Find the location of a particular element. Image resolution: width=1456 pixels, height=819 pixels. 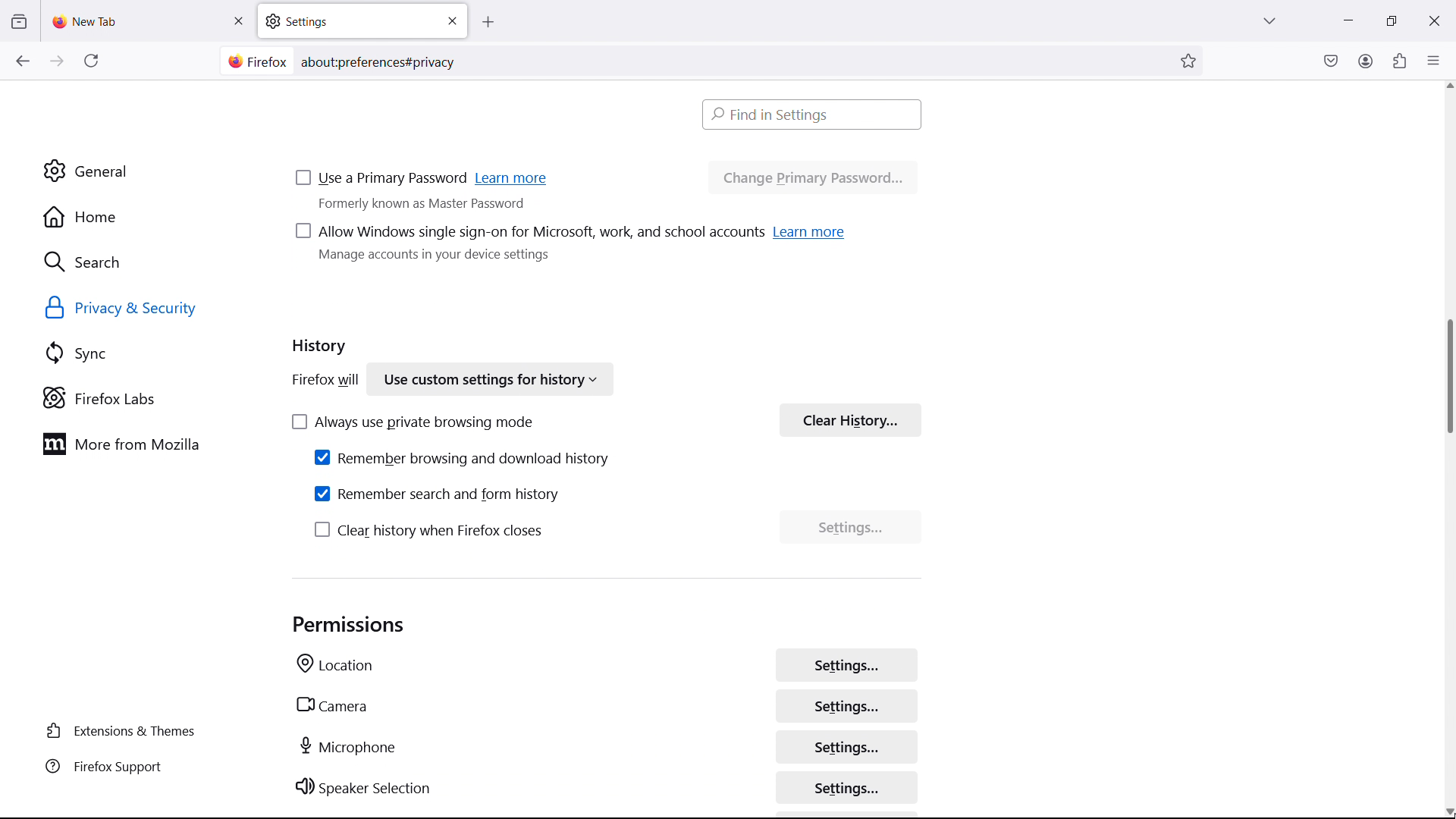

settings tab is located at coordinates (362, 20).